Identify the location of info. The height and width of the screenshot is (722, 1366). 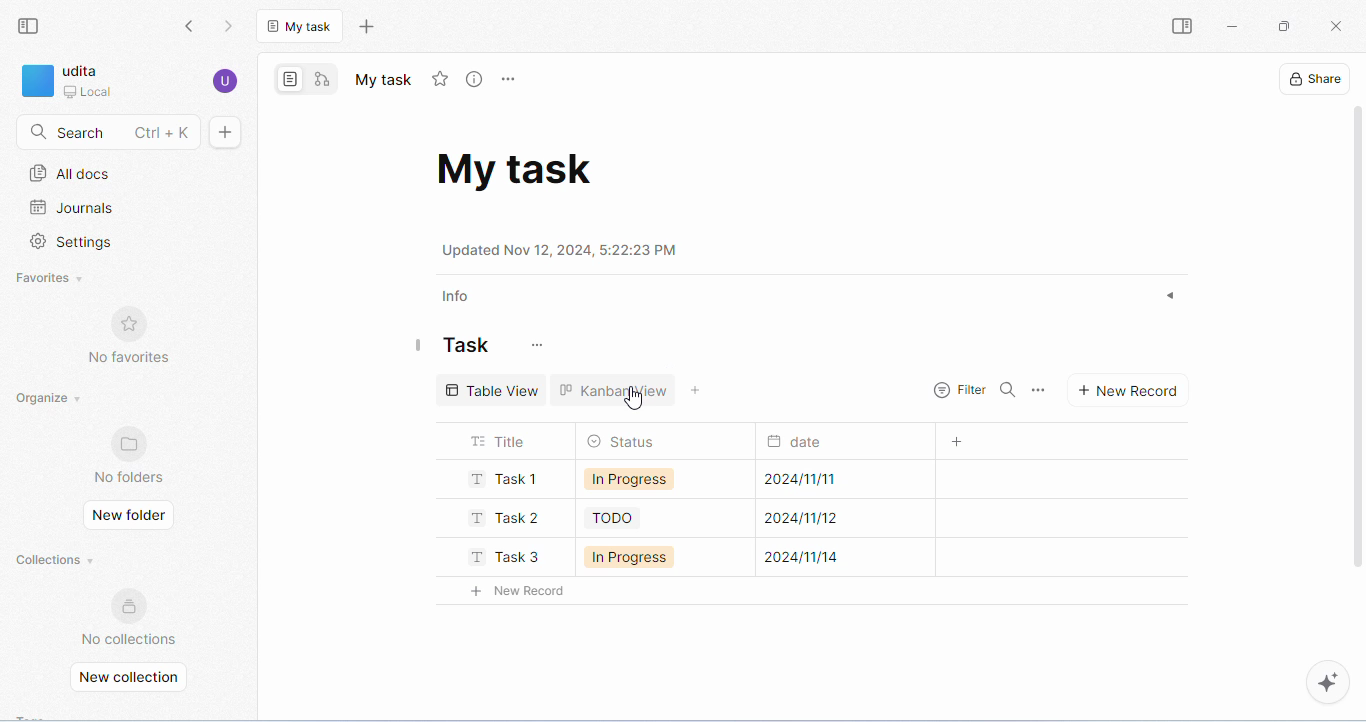
(460, 294).